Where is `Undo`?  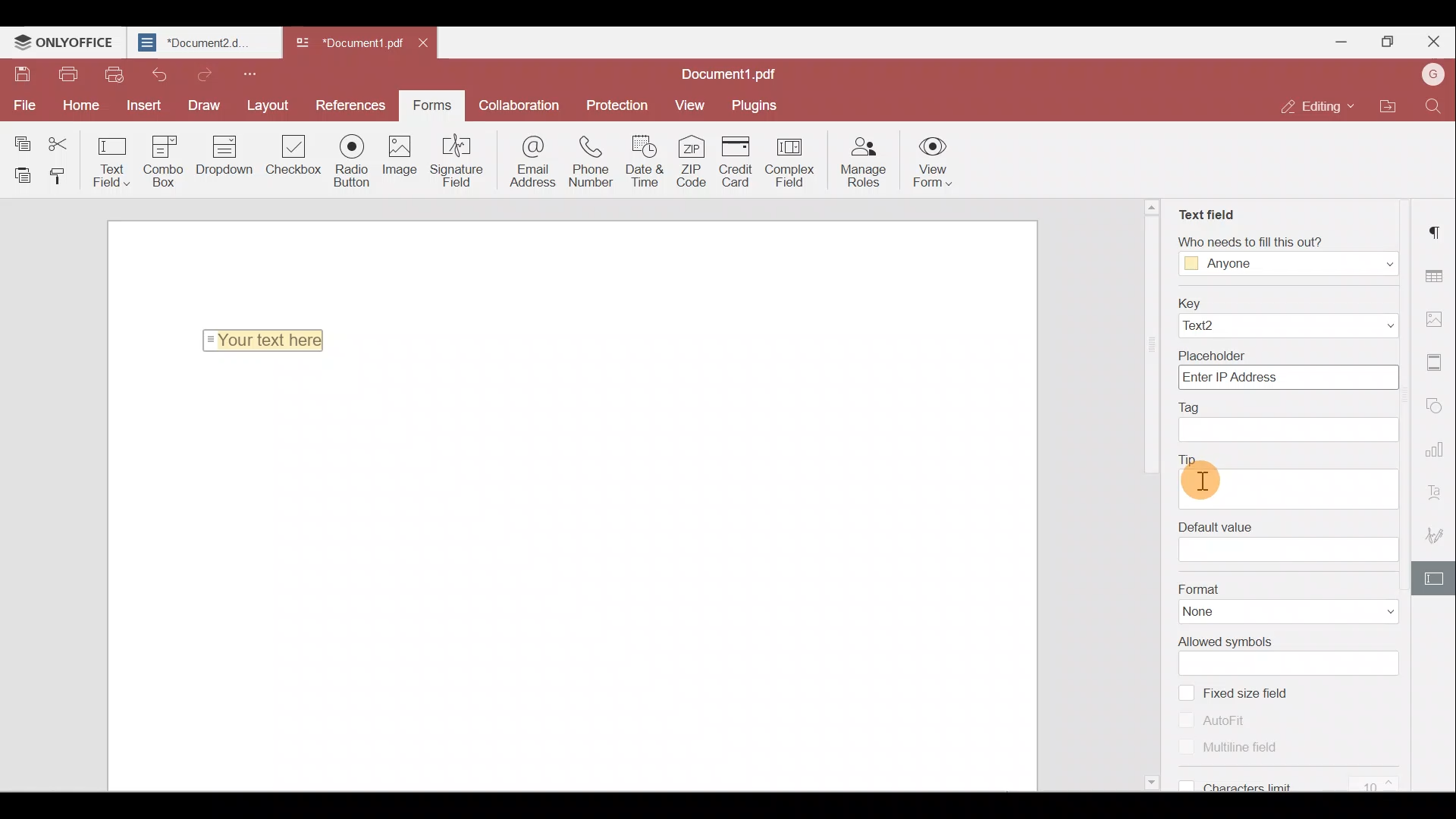
Undo is located at coordinates (158, 74).